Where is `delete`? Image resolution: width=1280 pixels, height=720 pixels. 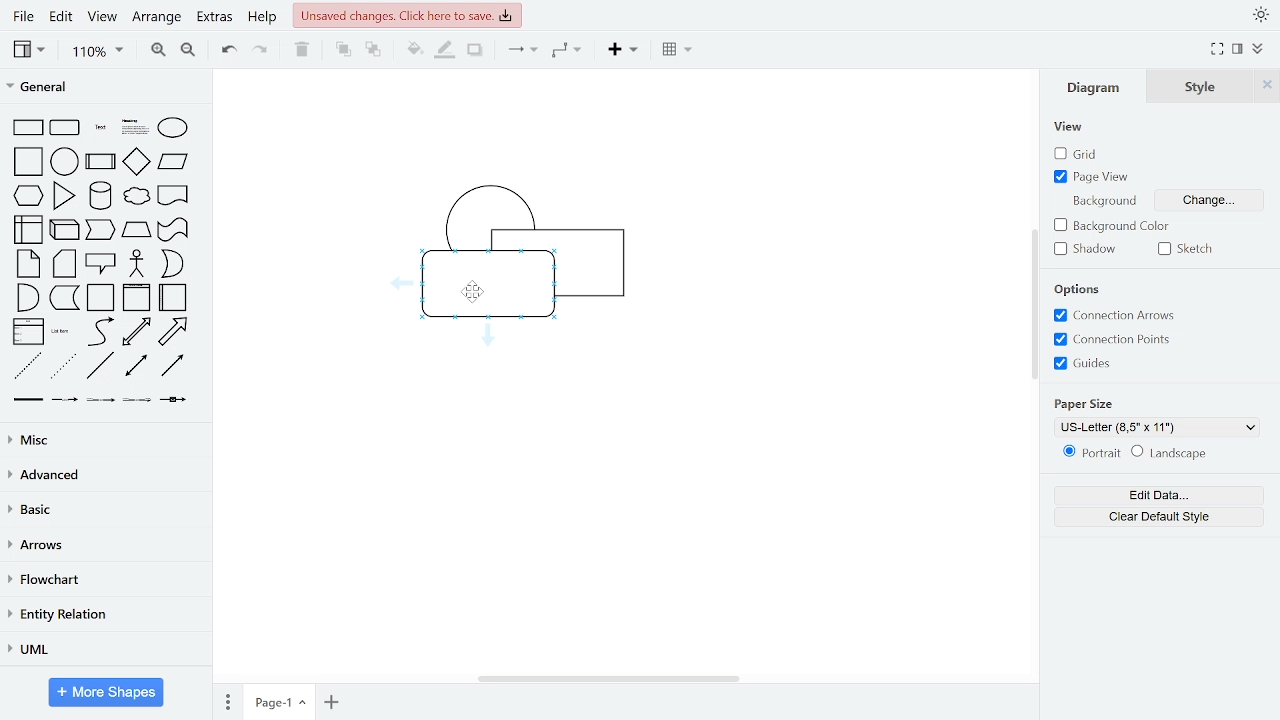 delete is located at coordinates (302, 53).